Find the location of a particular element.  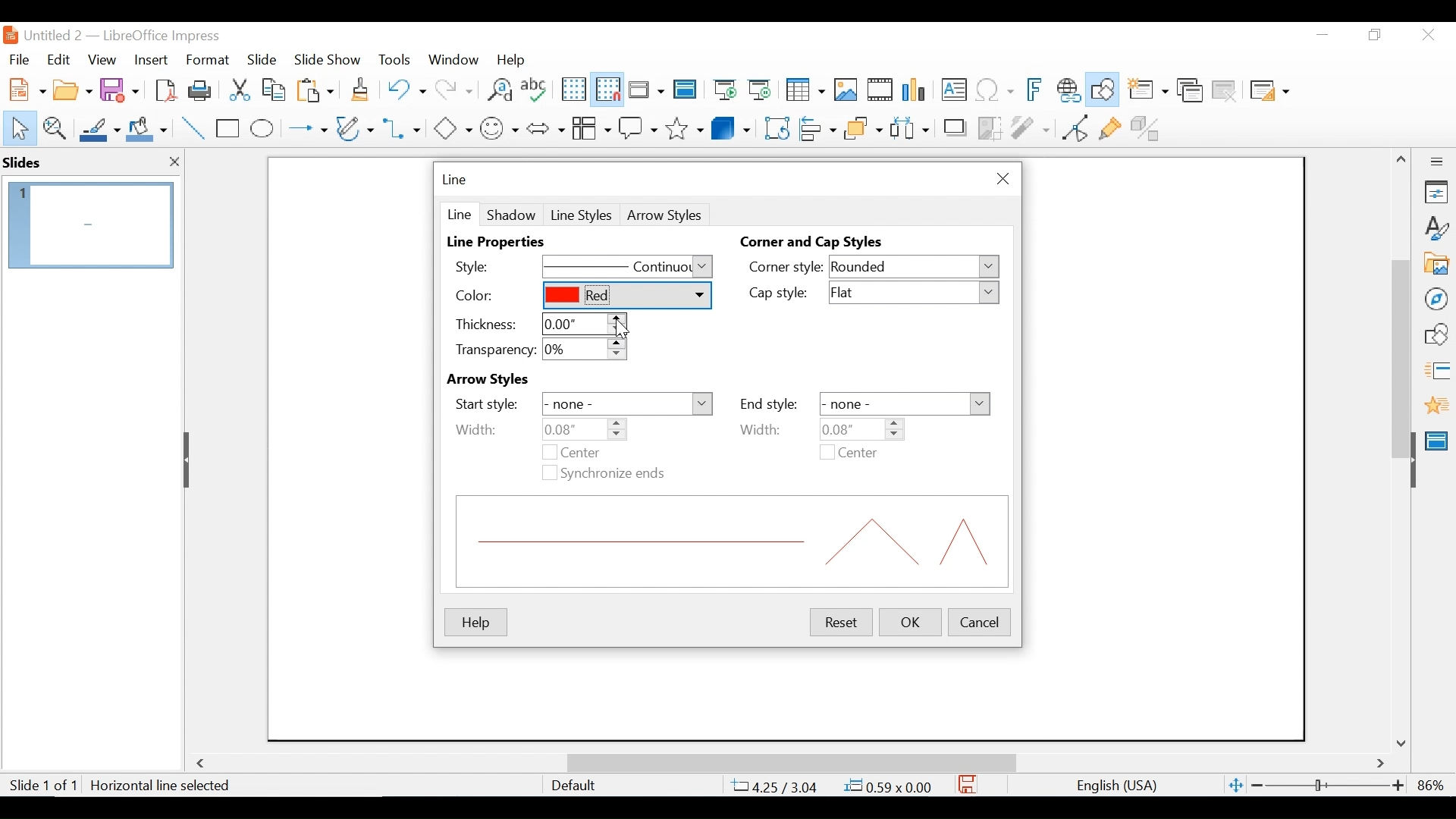

Scroll Left is located at coordinates (203, 764).